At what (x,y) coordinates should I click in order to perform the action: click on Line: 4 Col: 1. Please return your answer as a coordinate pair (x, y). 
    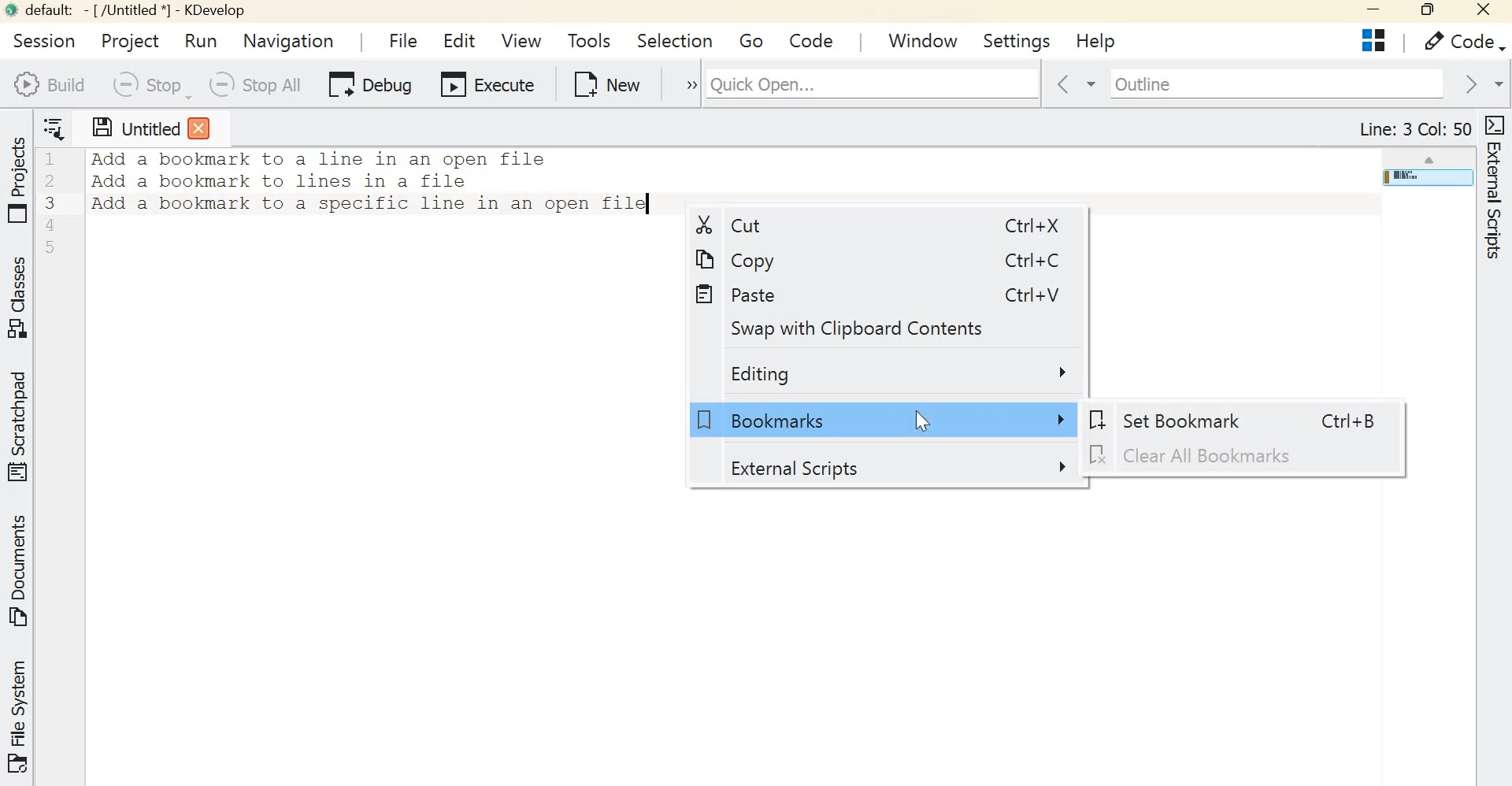
    Looking at the image, I should click on (1418, 130).